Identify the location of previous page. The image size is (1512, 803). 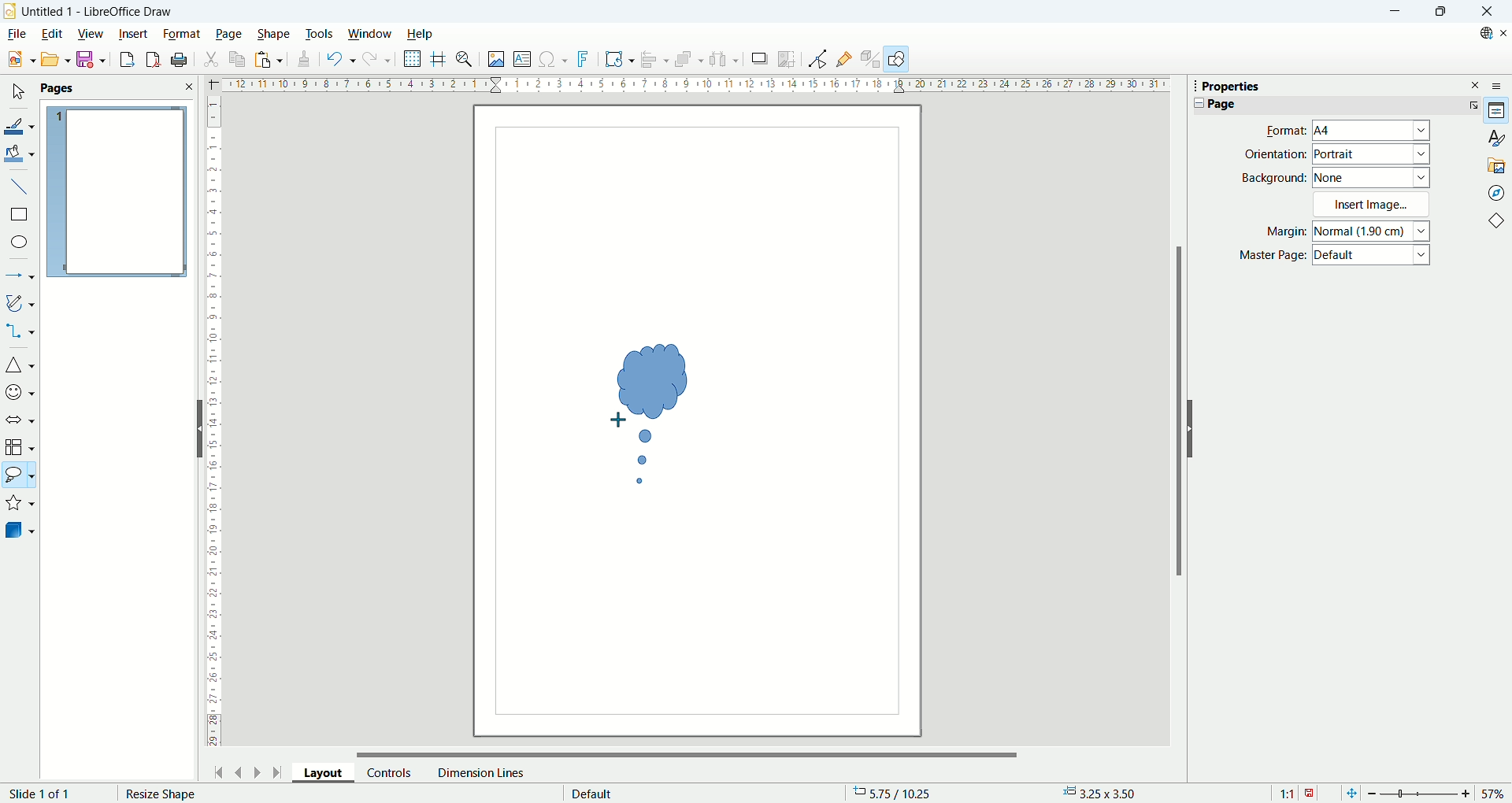
(240, 771).